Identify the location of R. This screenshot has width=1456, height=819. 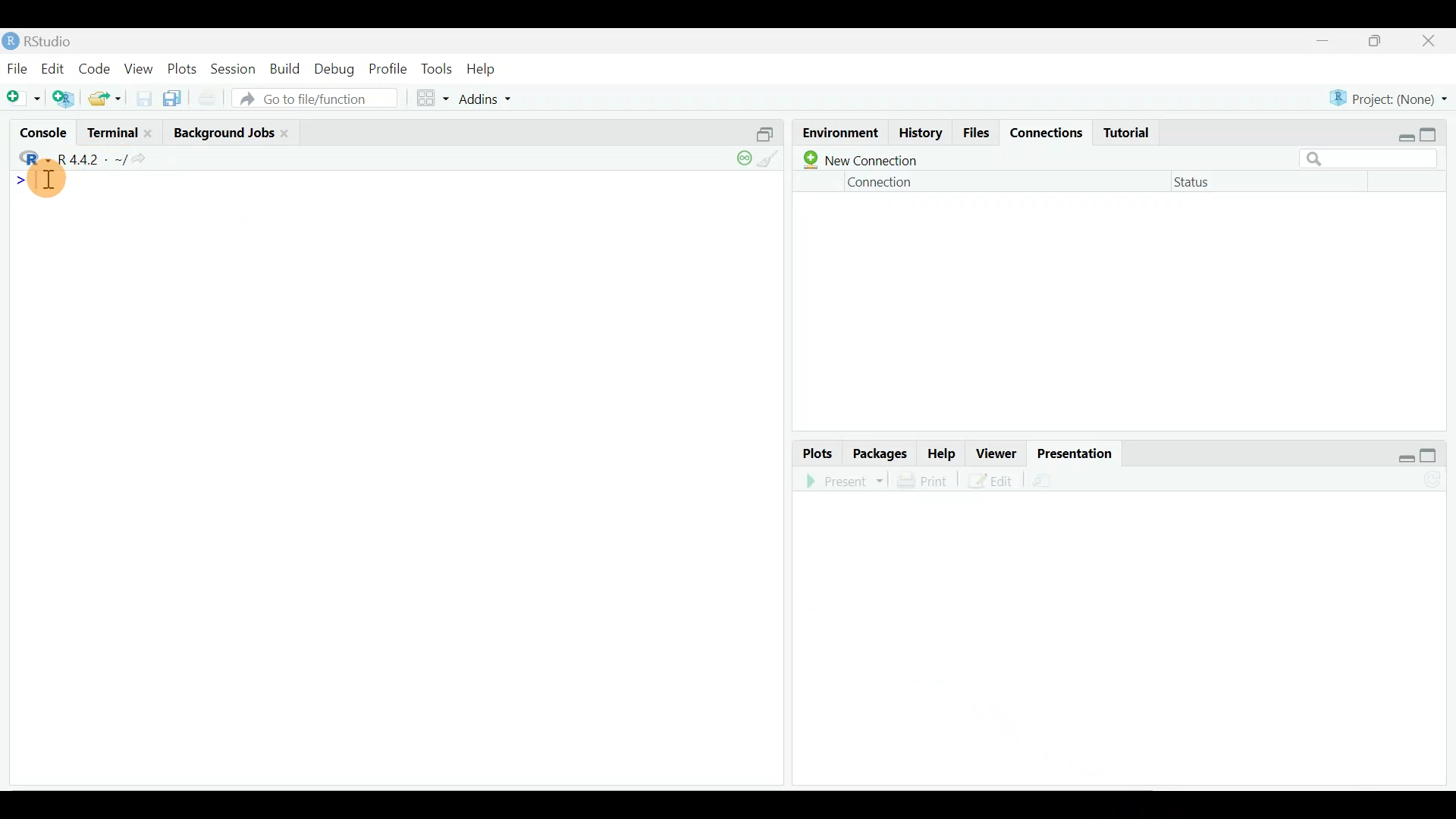
(32, 157).